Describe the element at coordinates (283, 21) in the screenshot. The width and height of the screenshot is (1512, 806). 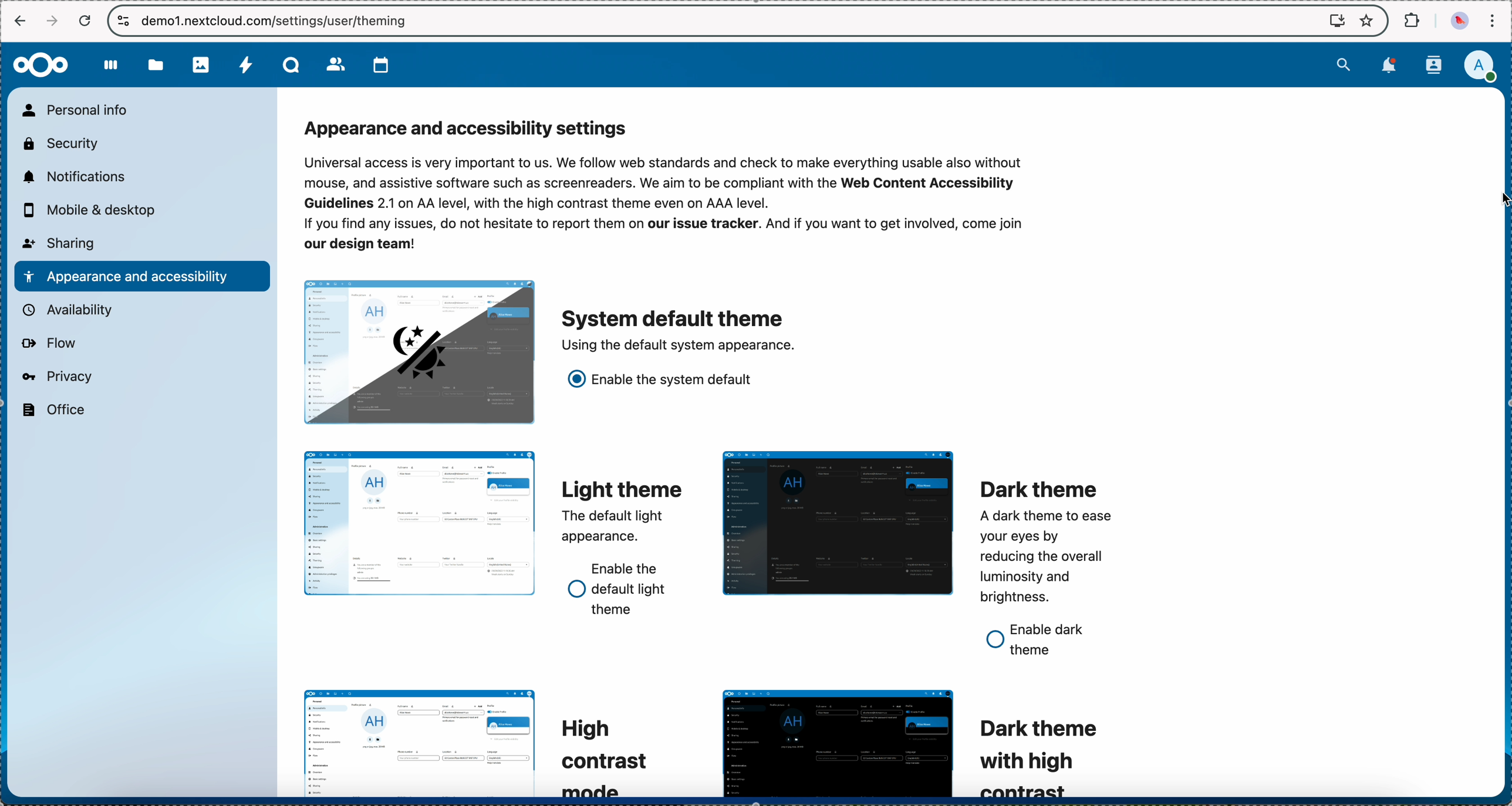
I see `URL` at that location.